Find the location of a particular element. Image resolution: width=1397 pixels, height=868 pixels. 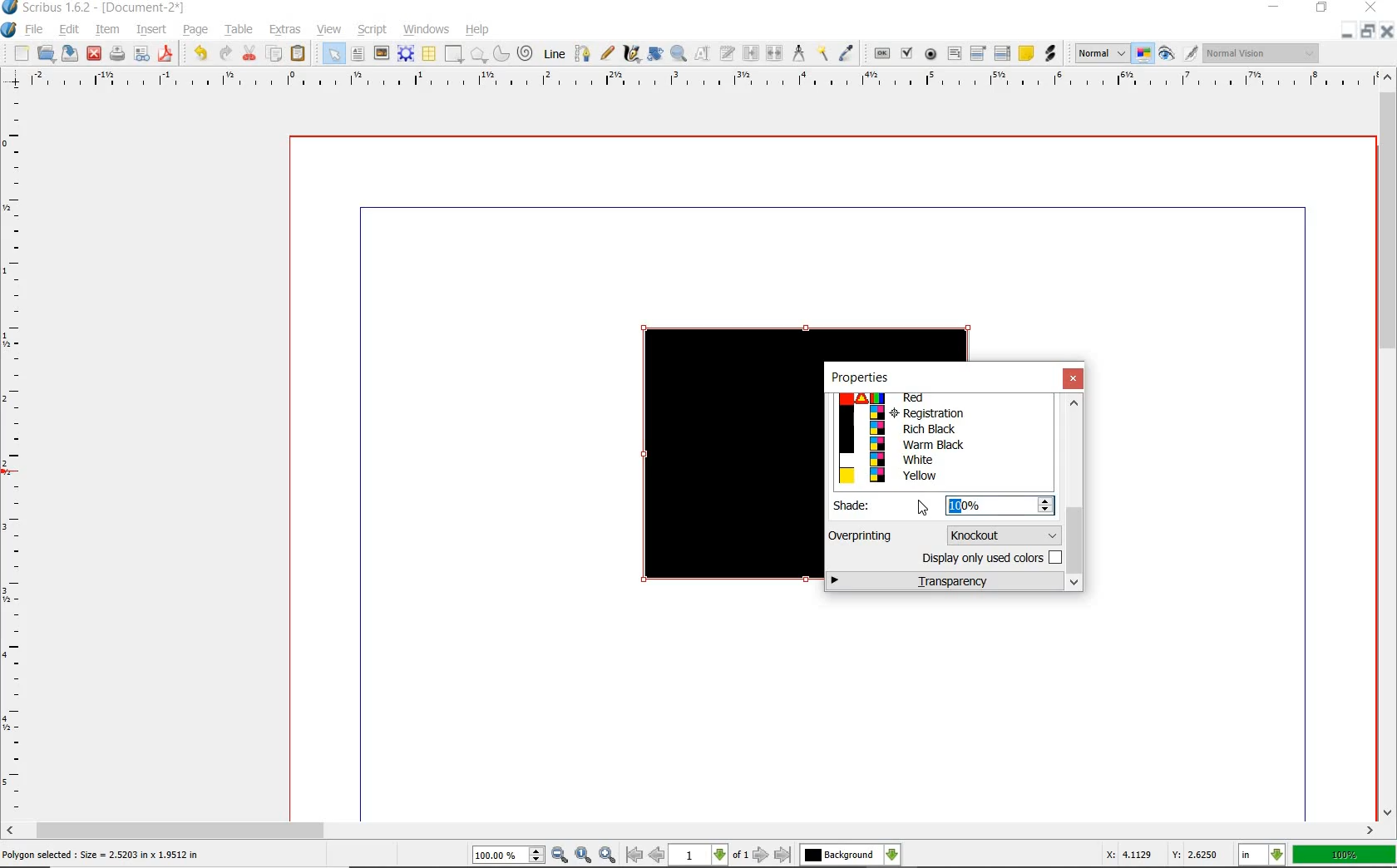

scrollbar is located at coordinates (691, 831).